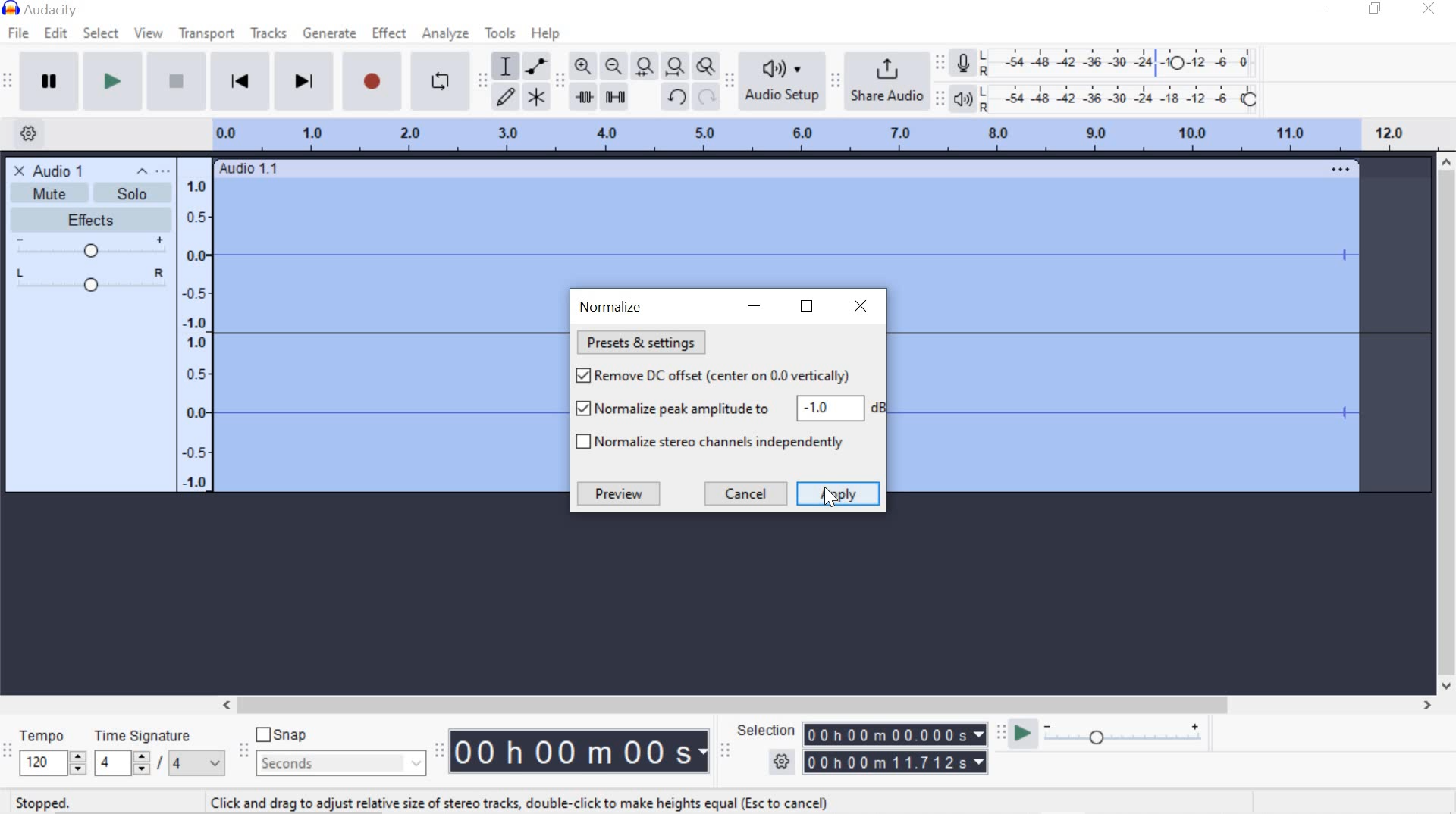 Image resolution: width=1456 pixels, height=814 pixels. I want to click on scrollbar, so click(824, 703).